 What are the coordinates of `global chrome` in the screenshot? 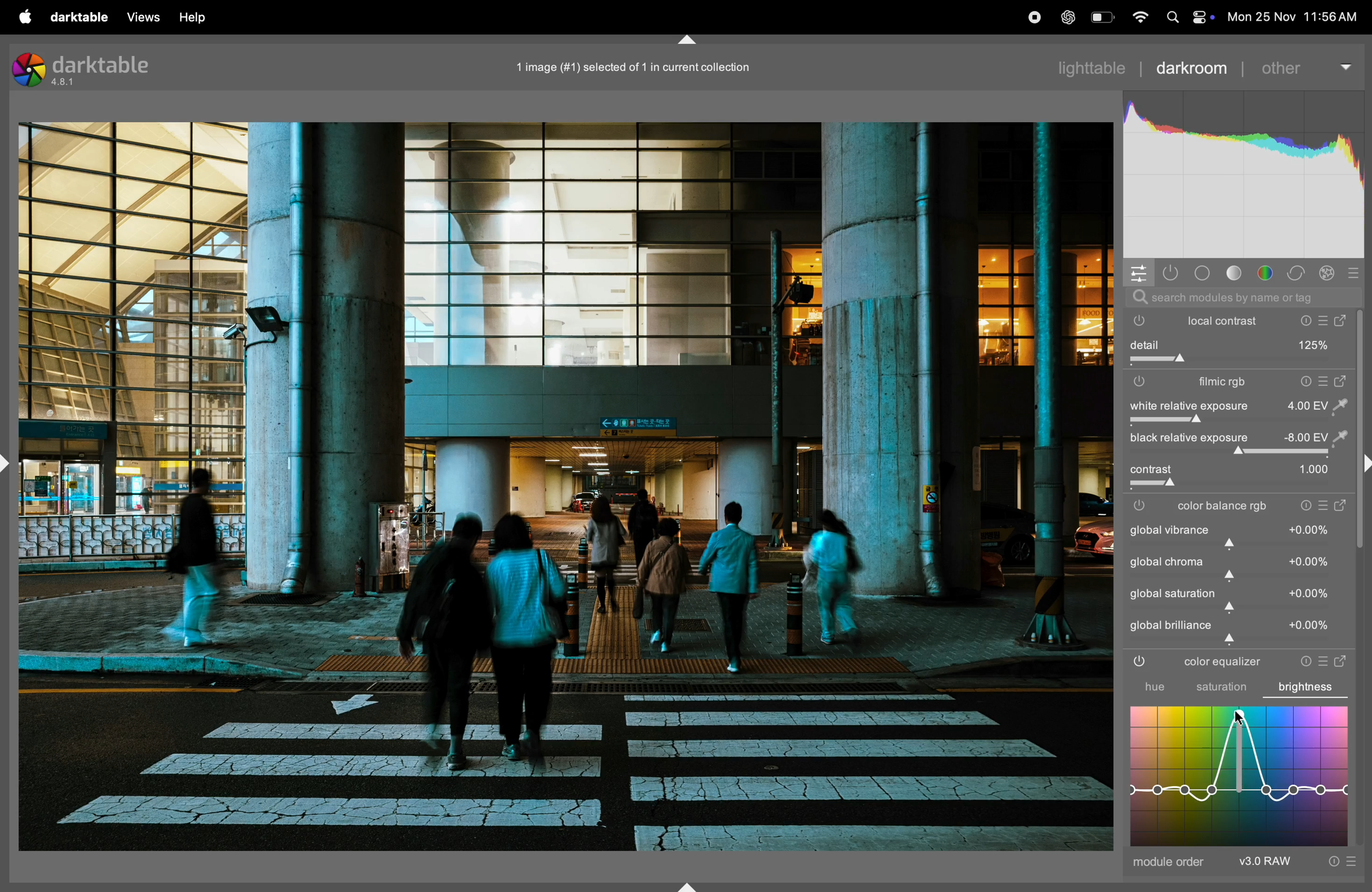 It's located at (1167, 562).